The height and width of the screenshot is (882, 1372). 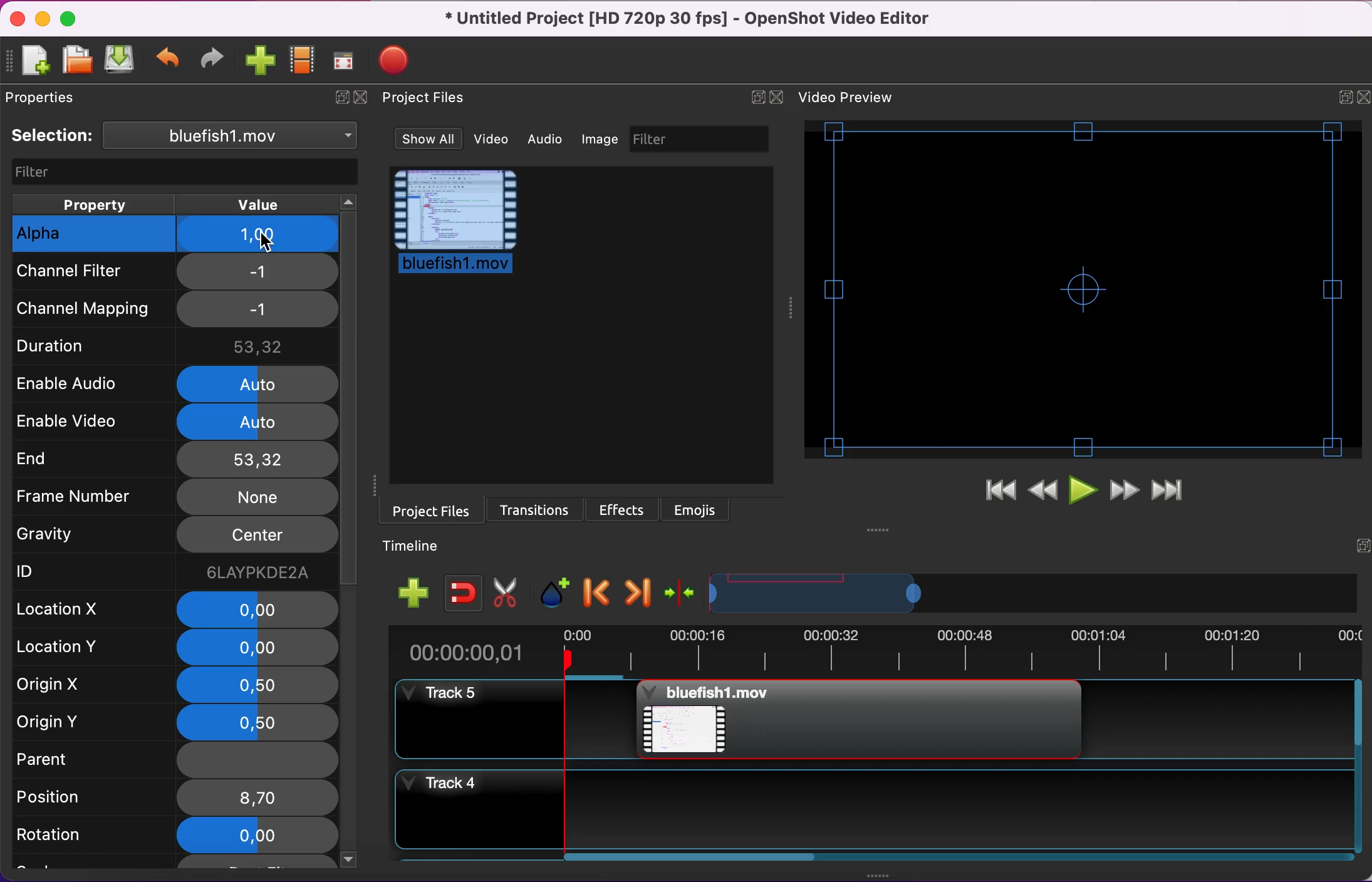 I want to click on show all, so click(x=430, y=138).